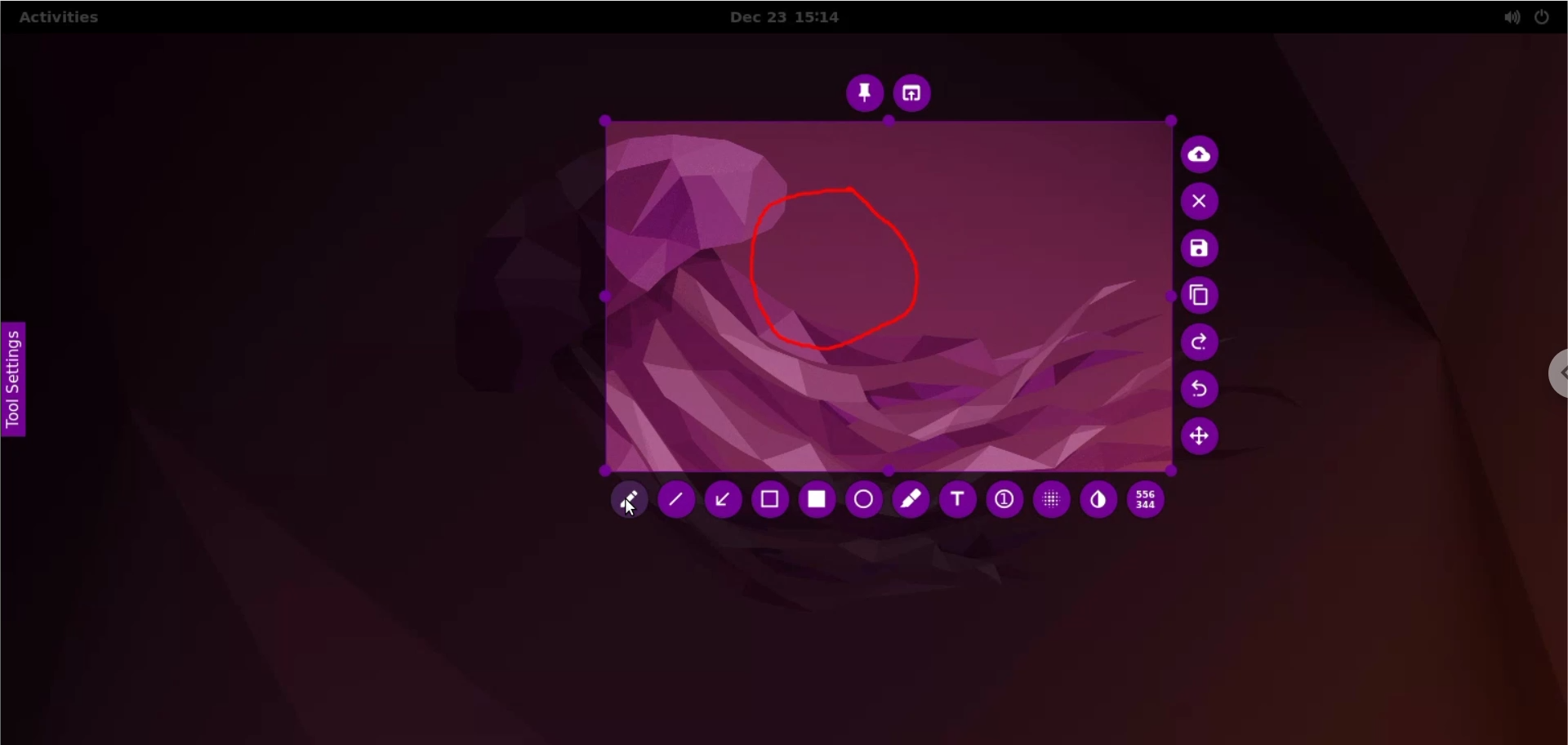 The height and width of the screenshot is (745, 1568). What do you see at coordinates (1203, 203) in the screenshot?
I see `cancel culture` at bounding box center [1203, 203].